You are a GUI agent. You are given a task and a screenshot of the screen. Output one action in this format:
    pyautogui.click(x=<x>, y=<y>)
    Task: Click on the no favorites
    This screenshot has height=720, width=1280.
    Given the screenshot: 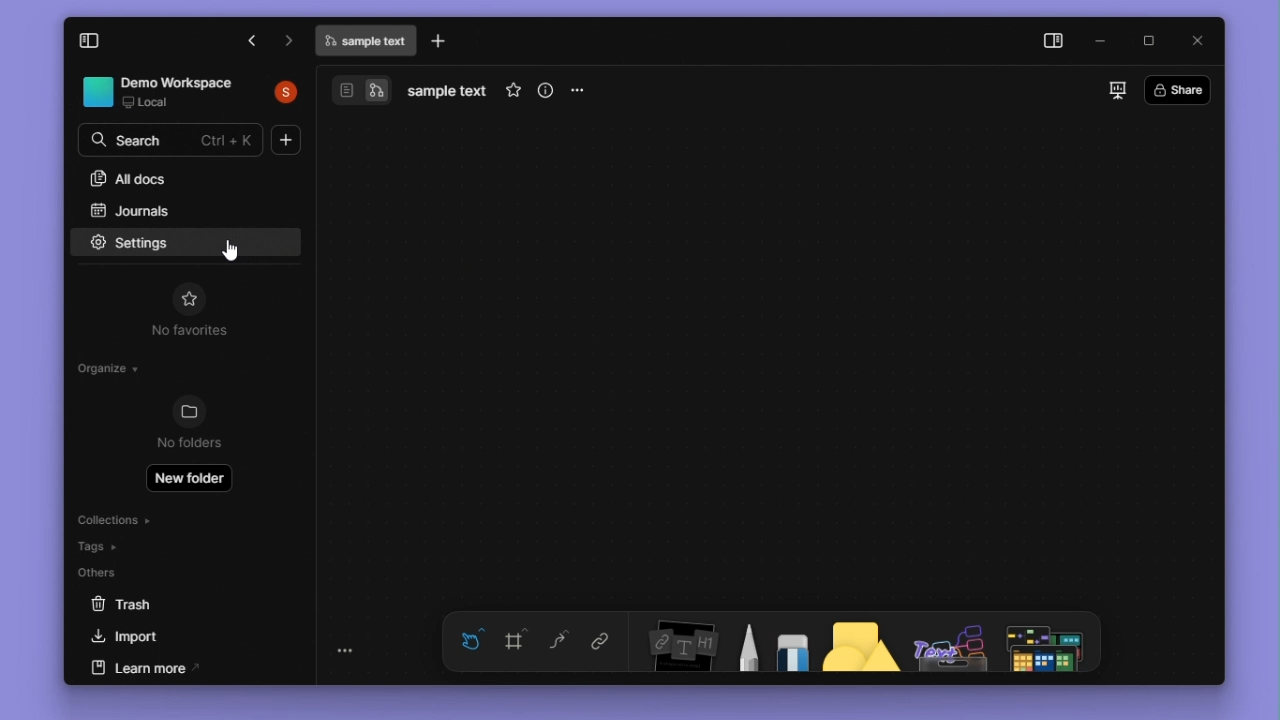 What is the action you would take?
    pyautogui.click(x=185, y=334)
    